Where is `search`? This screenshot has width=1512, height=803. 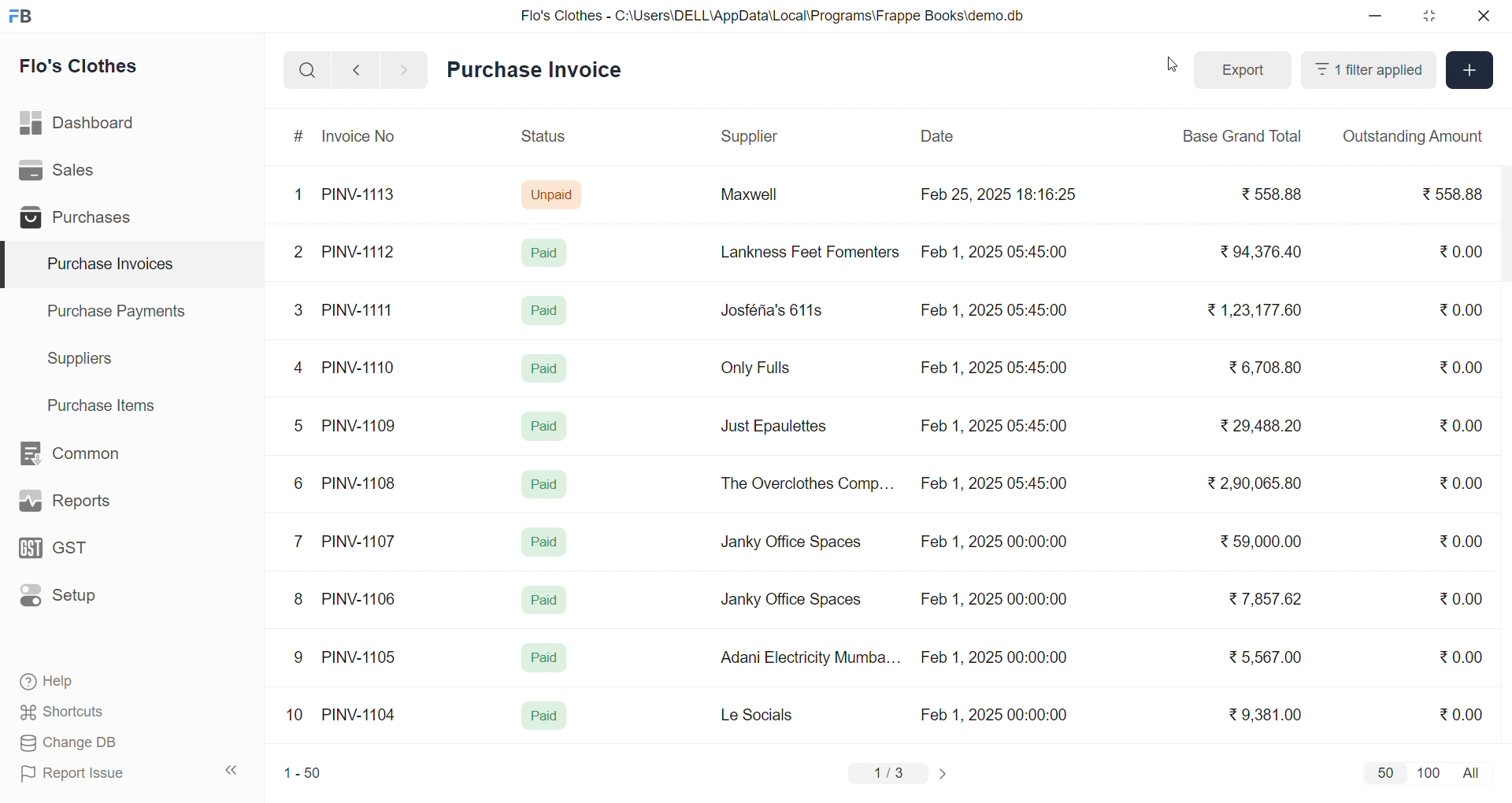 search is located at coordinates (307, 70).